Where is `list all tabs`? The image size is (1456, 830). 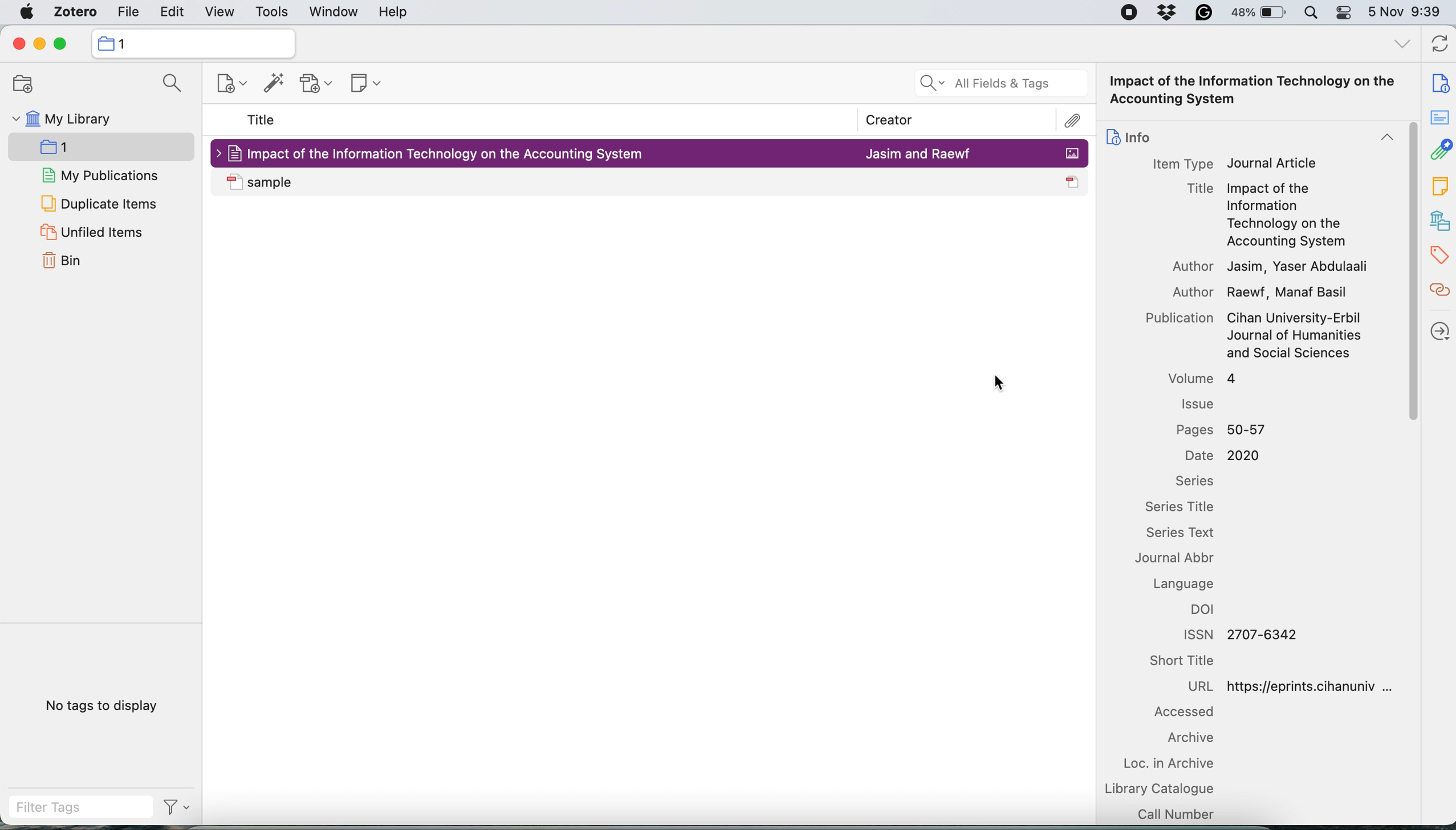
list all tabs is located at coordinates (1402, 47).